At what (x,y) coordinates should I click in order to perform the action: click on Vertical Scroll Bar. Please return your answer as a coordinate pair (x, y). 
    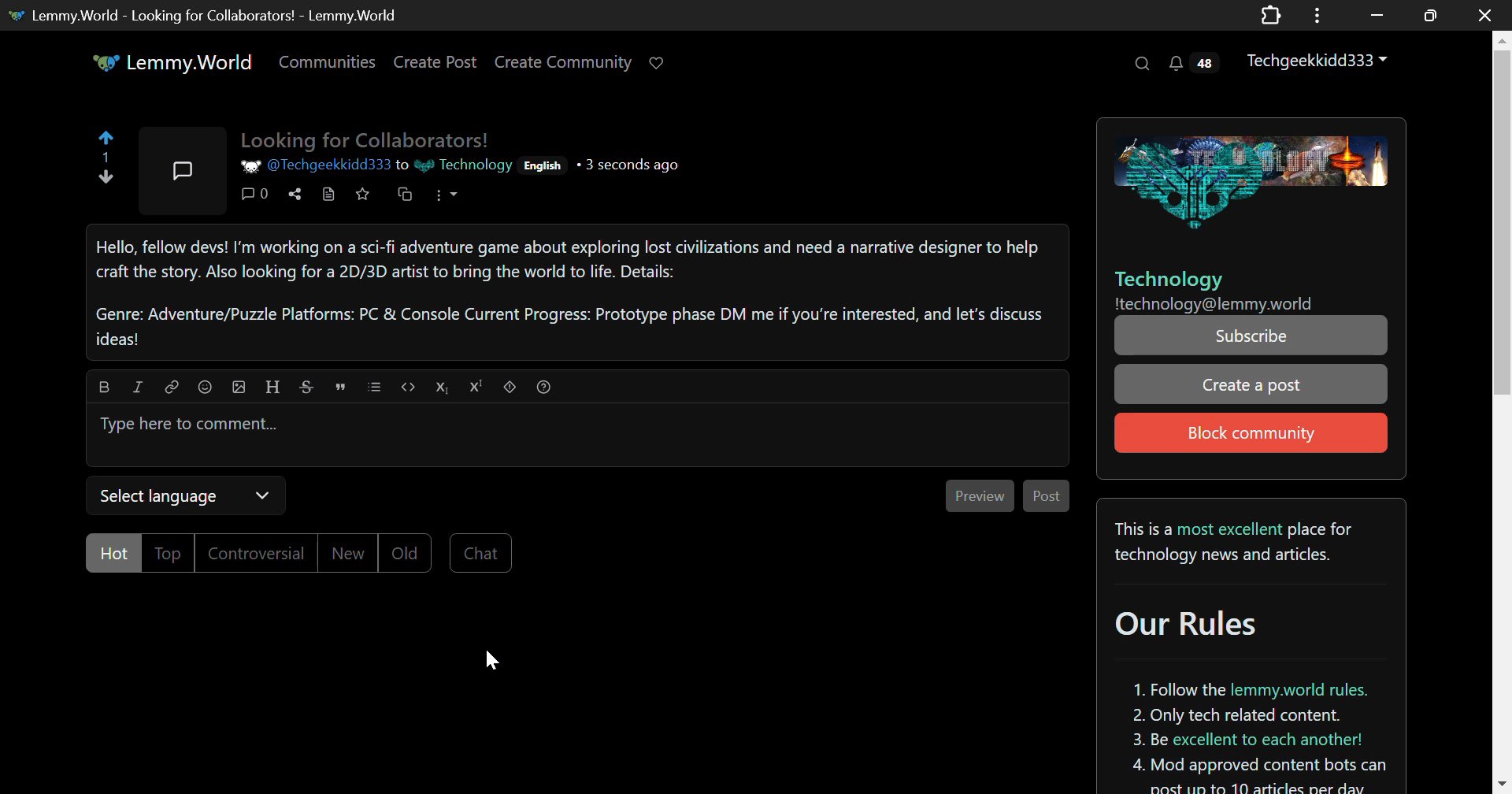
    Looking at the image, I should click on (1503, 412).